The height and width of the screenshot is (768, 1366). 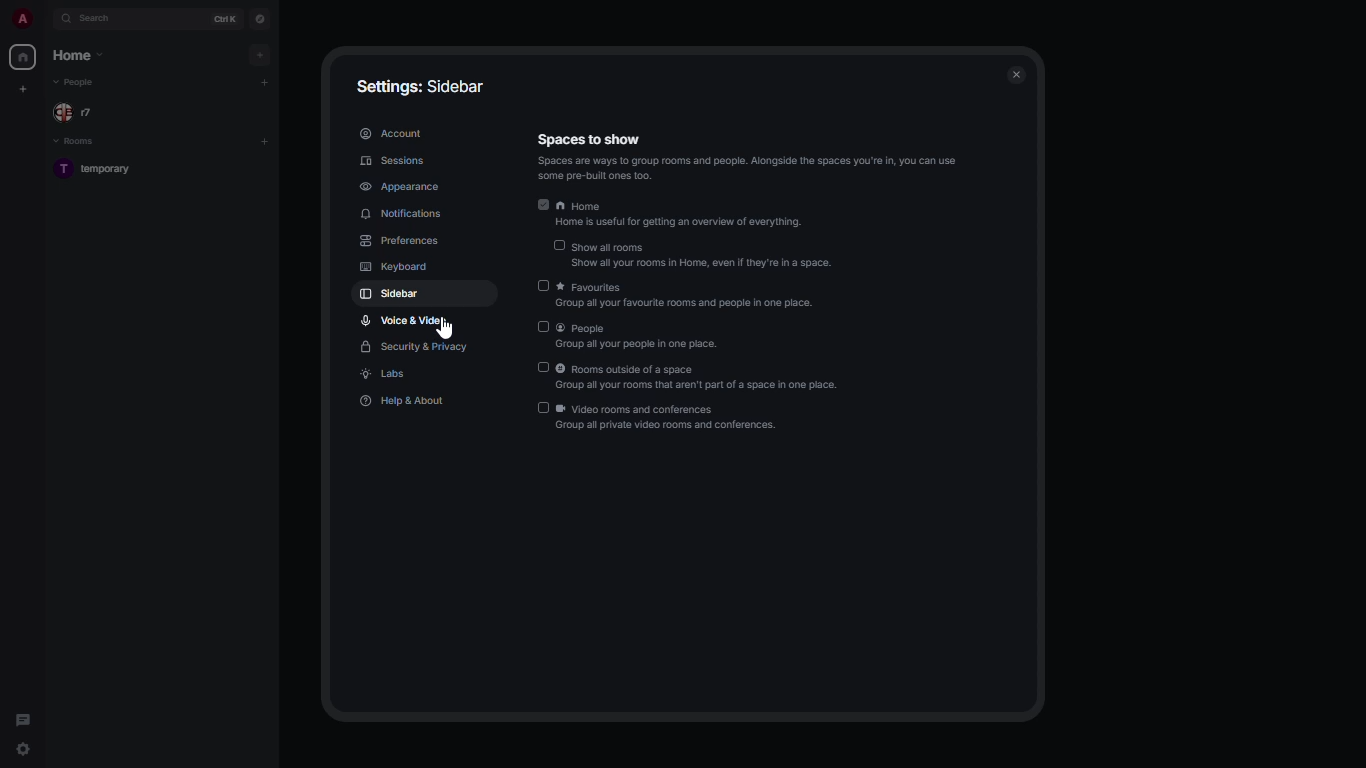 What do you see at coordinates (422, 84) in the screenshot?
I see `settings: sidebar` at bounding box center [422, 84].